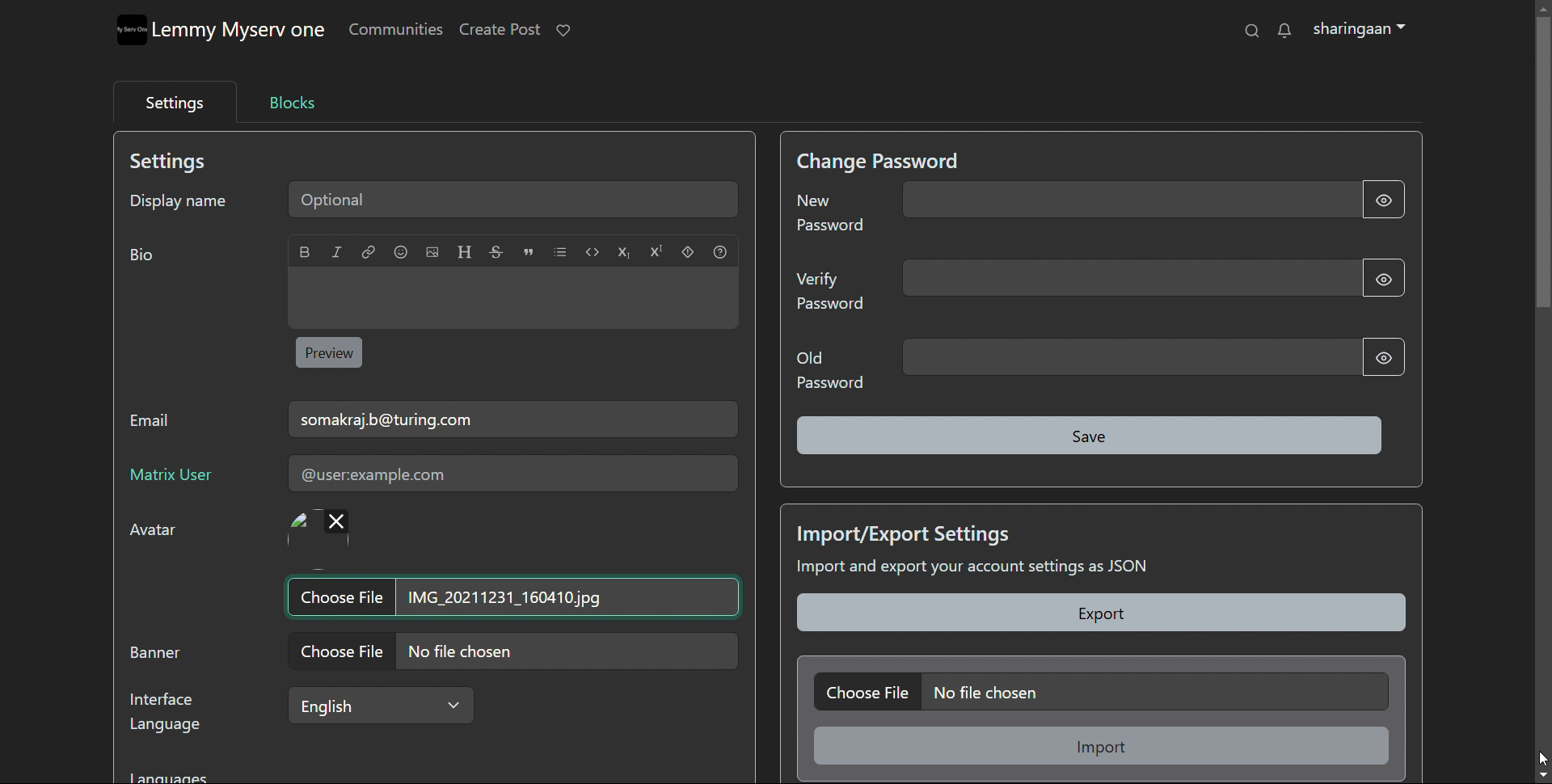 Image resolution: width=1552 pixels, height=784 pixels. I want to click on spoiler, so click(689, 251).